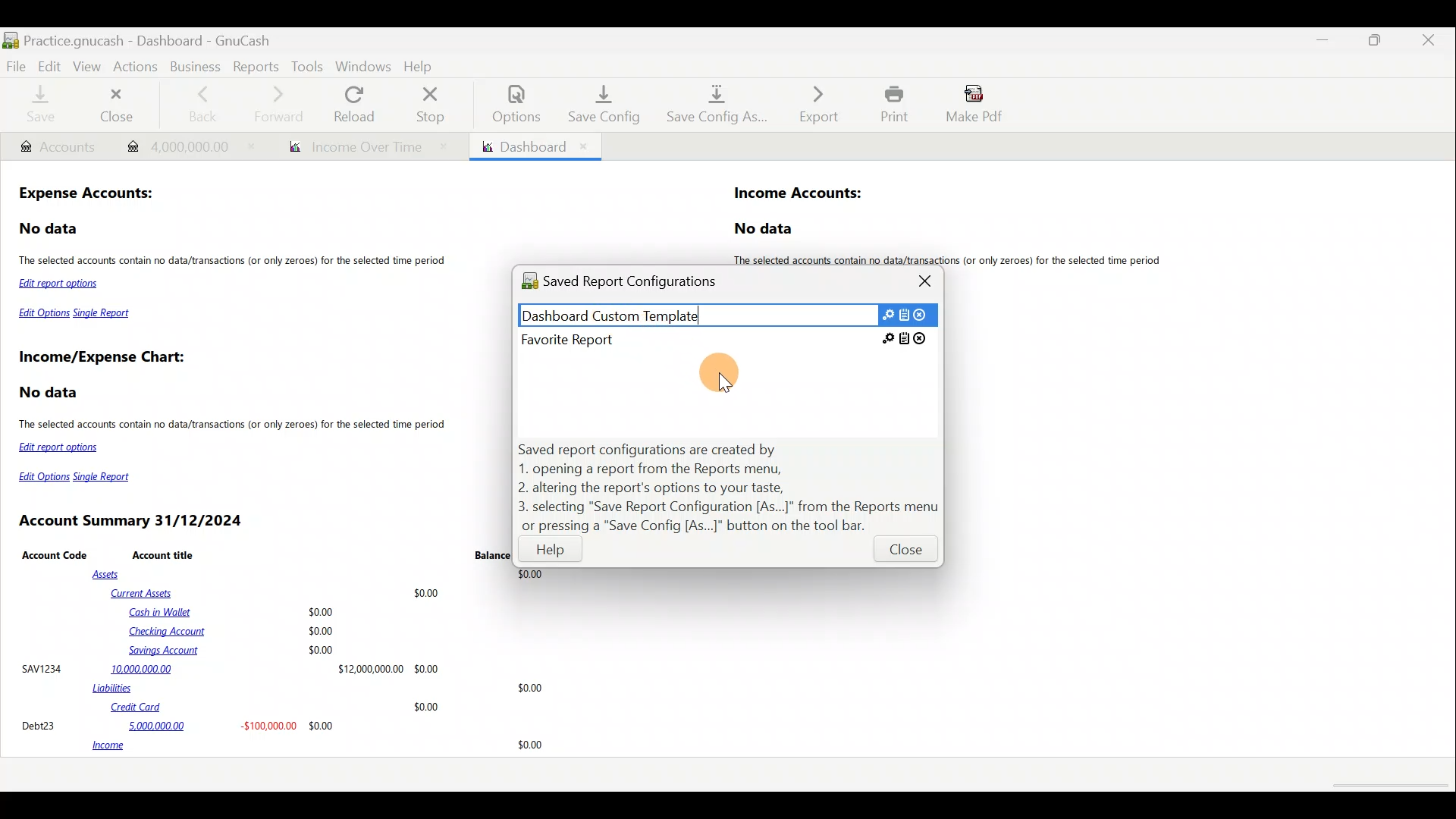 The width and height of the screenshot is (1456, 819). I want to click on Edit report options, so click(62, 285).